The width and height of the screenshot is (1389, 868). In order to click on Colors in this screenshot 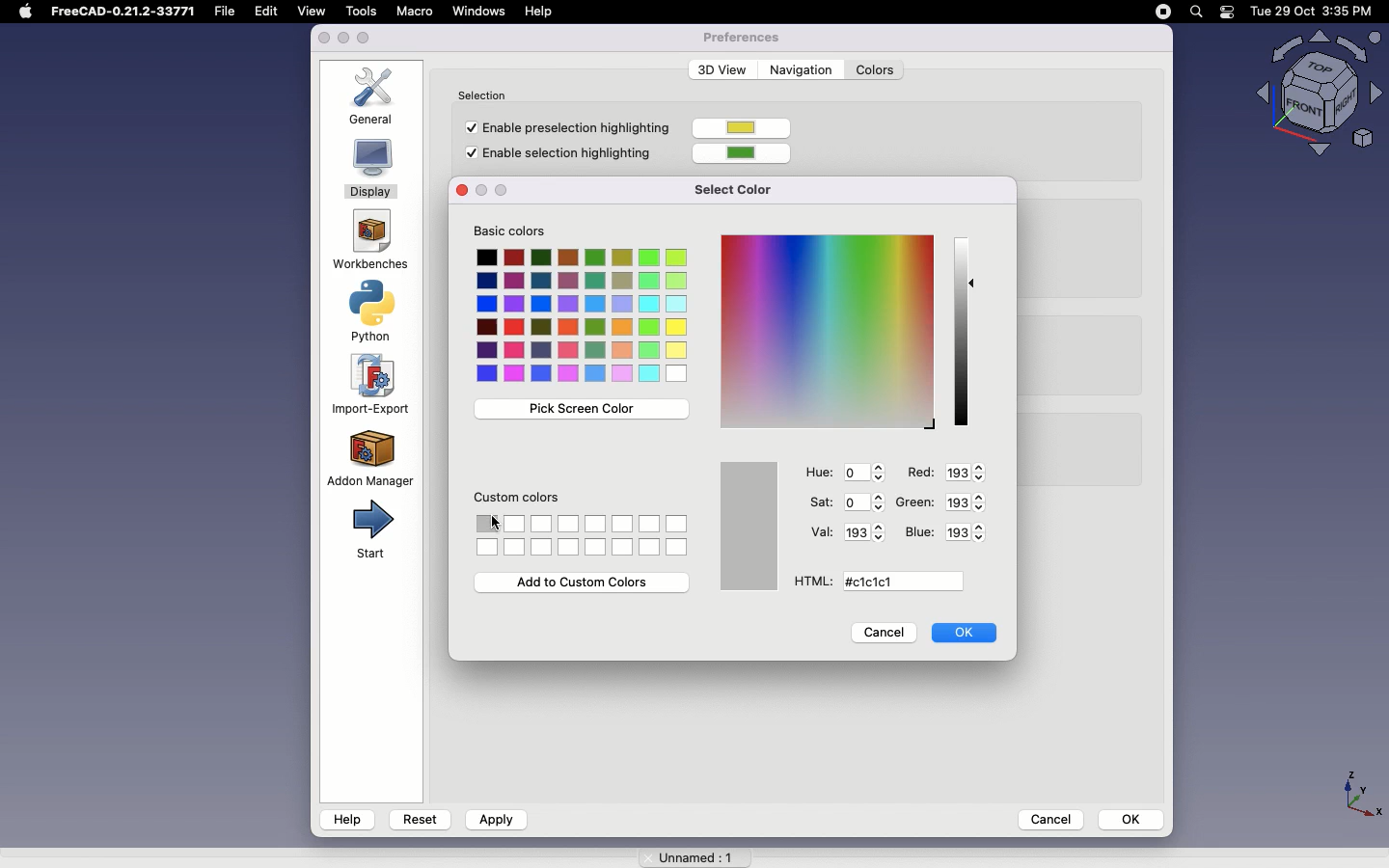, I will do `click(875, 70)`.